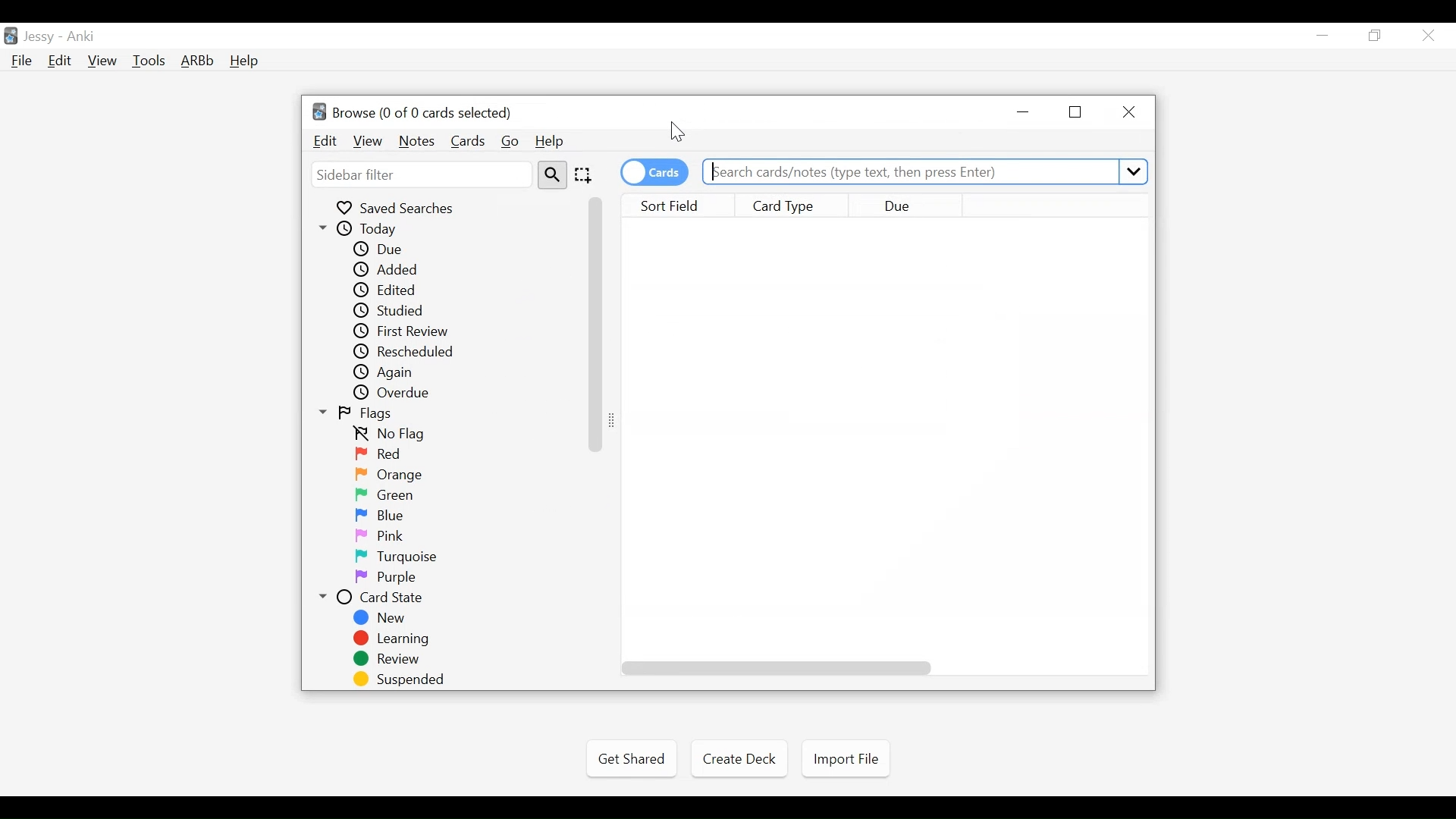  I want to click on Restore, so click(1377, 36).